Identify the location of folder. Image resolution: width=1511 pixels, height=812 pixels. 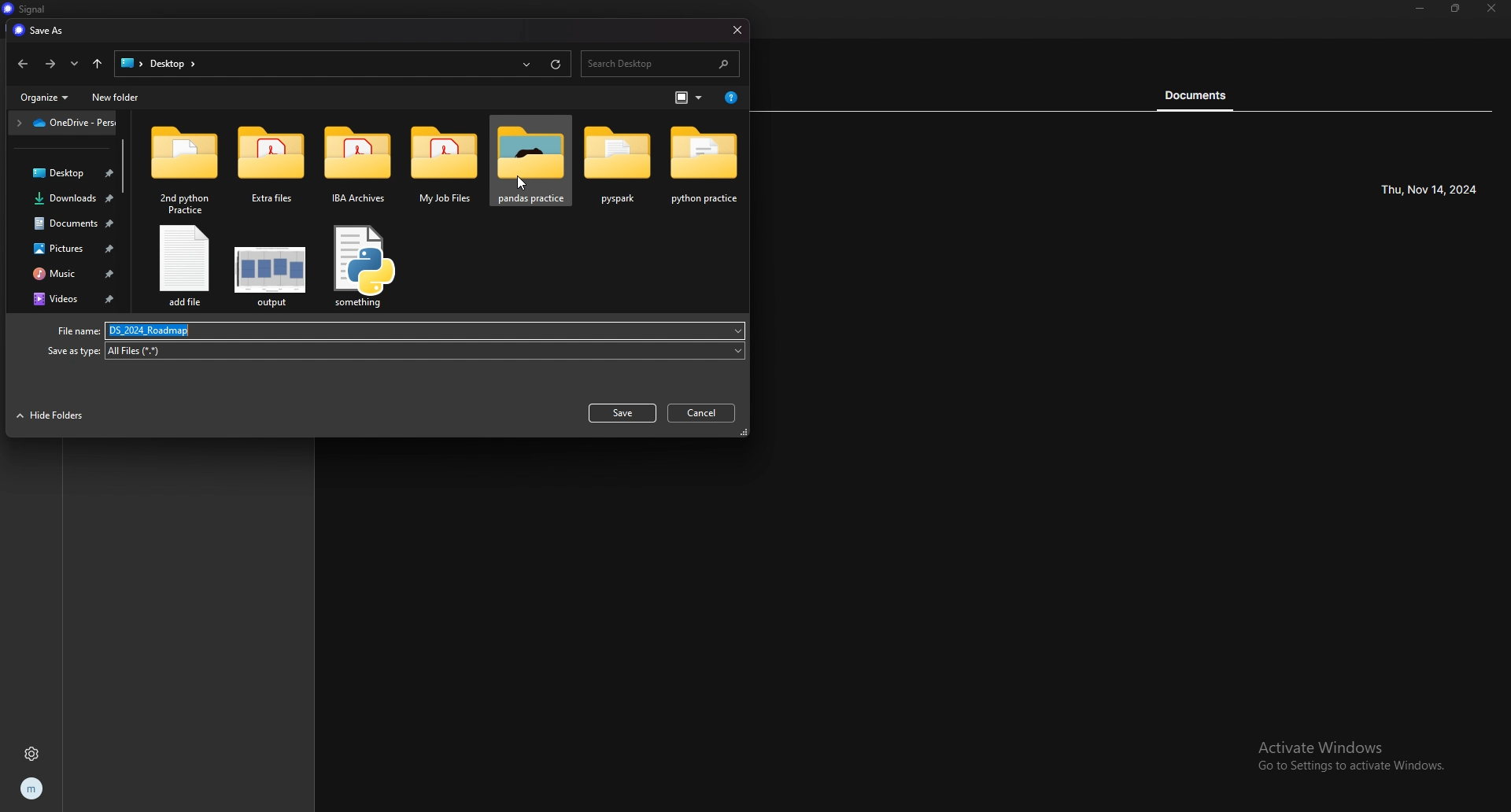
(63, 124).